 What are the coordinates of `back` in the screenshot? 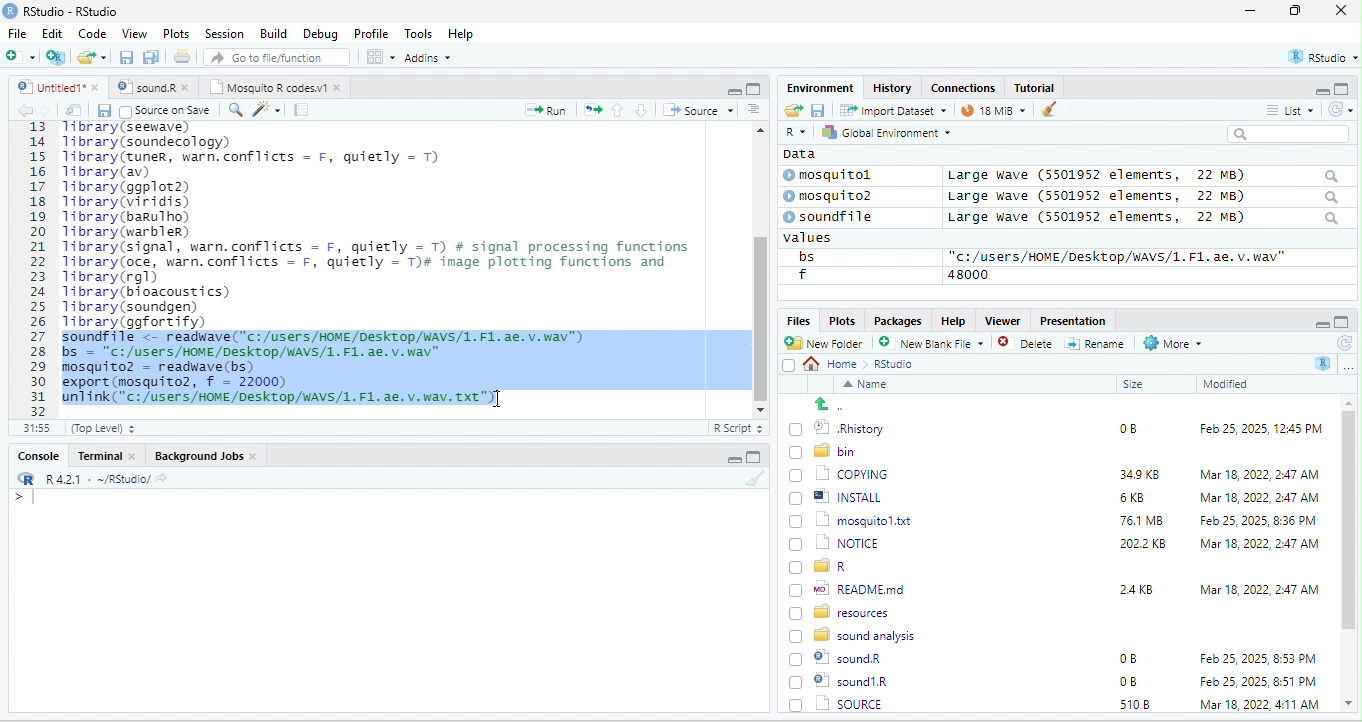 It's located at (28, 111).